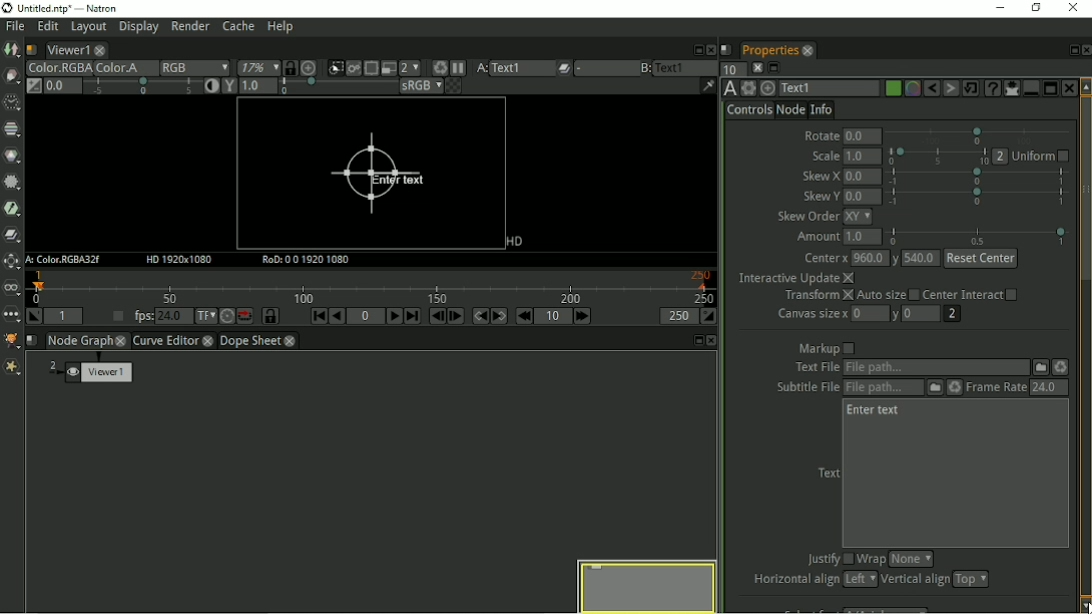  I want to click on Turbo mode, so click(226, 317).